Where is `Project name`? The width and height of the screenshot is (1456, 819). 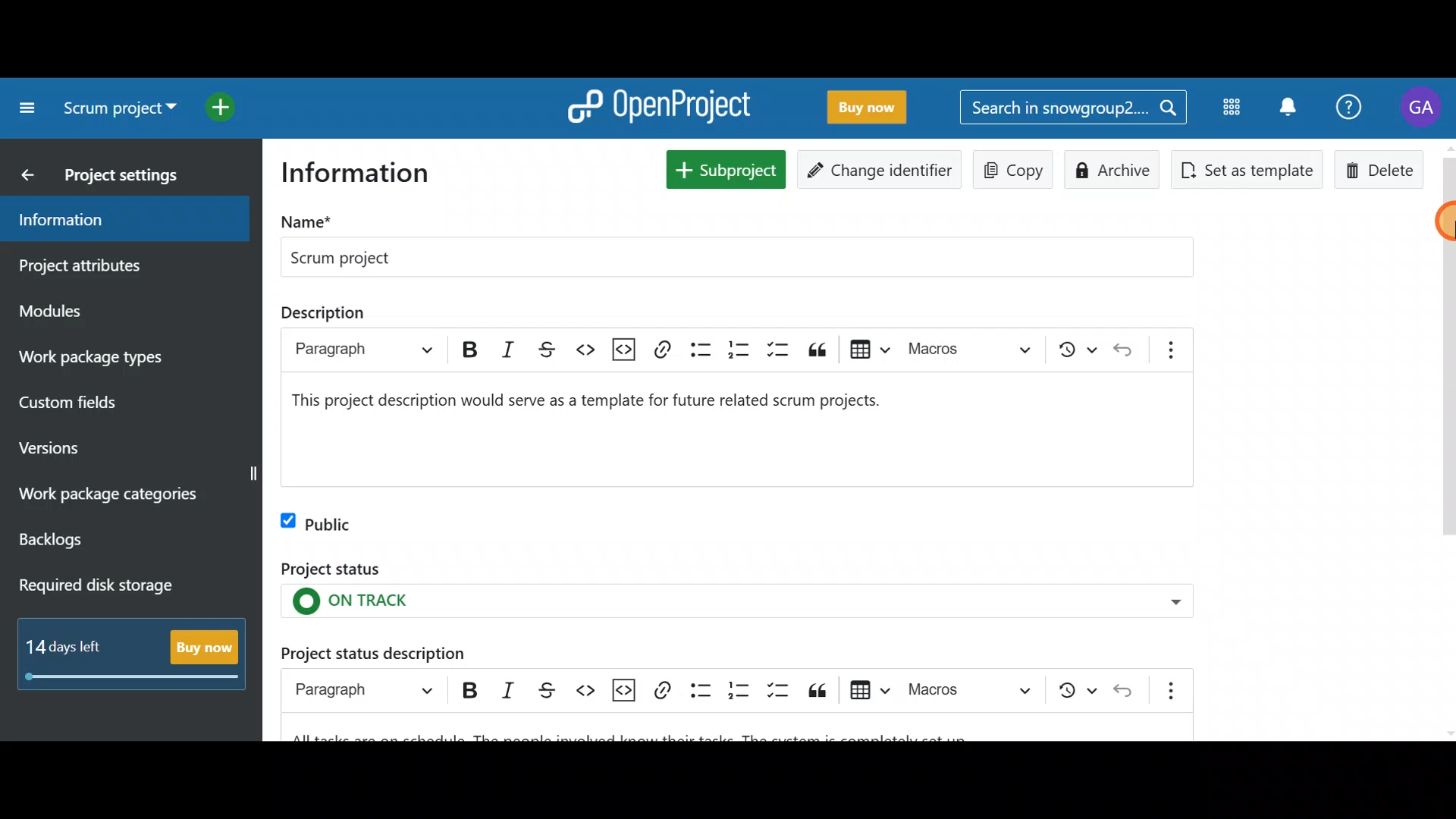
Project name is located at coordinates (733, 244).